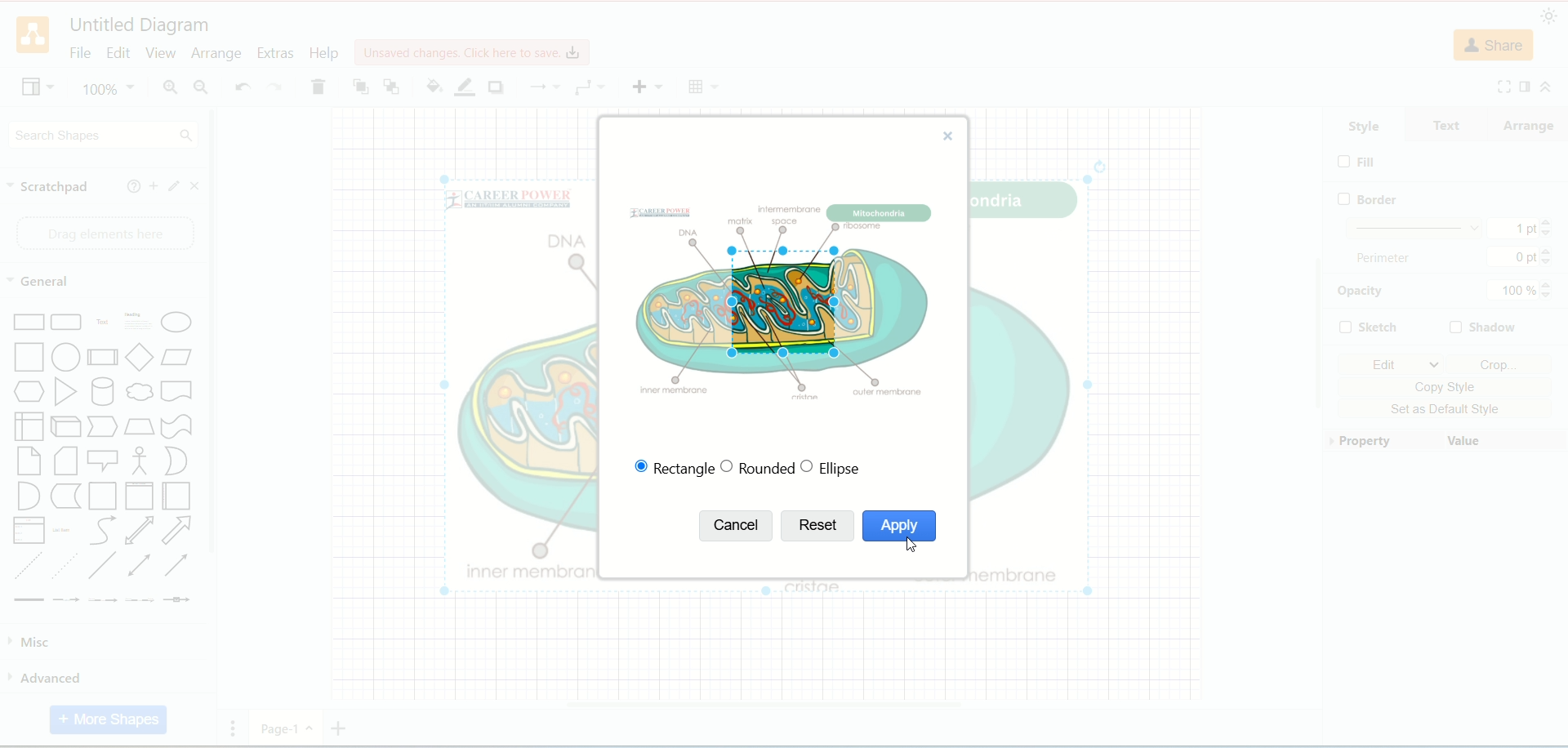 This screenshot has height=748, width=1568. What do you see at coordinates (669, 467) in the screenshot?
I see `rectangle` at bounding box center [669, 467].